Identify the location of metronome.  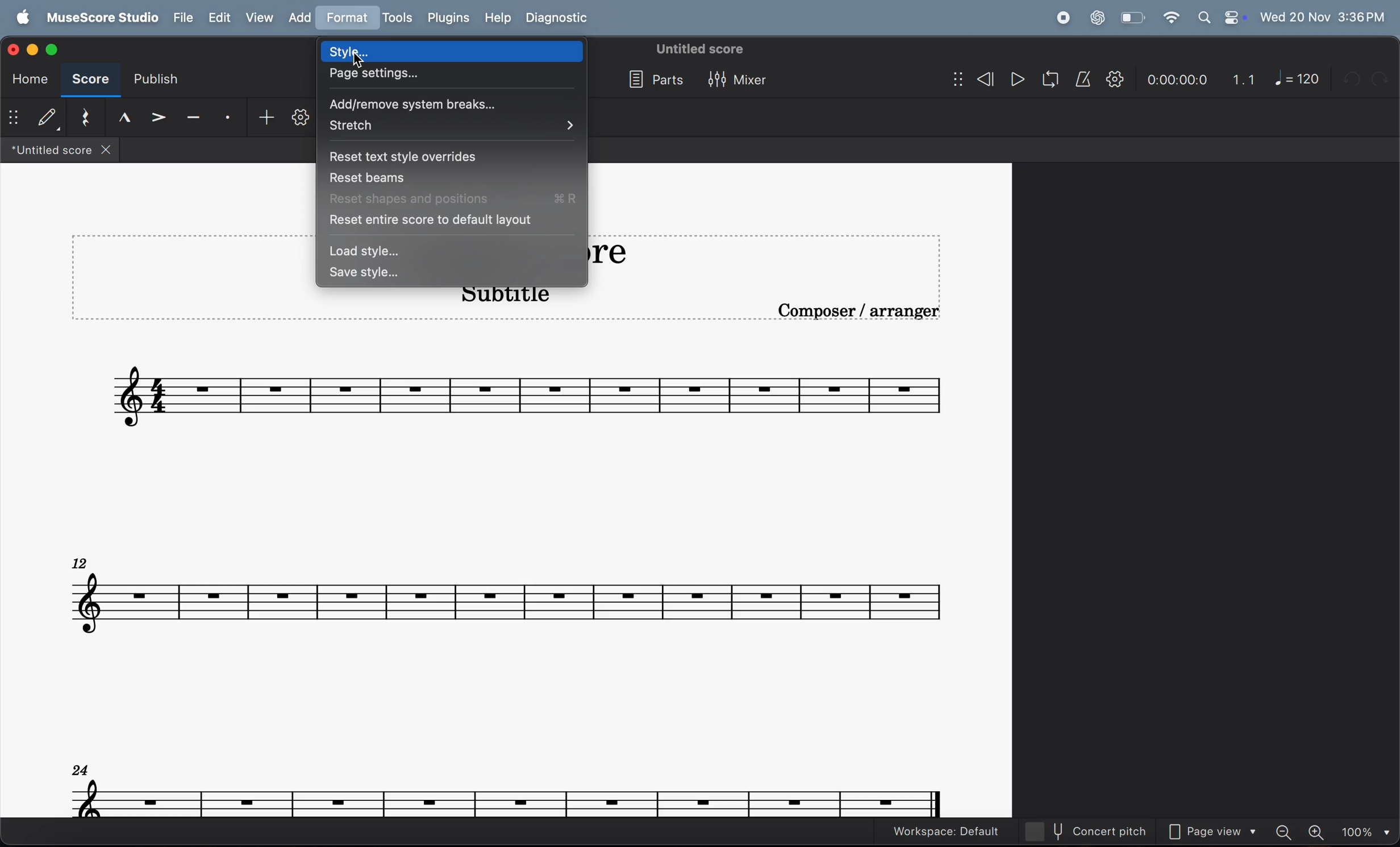
(1085, 80).